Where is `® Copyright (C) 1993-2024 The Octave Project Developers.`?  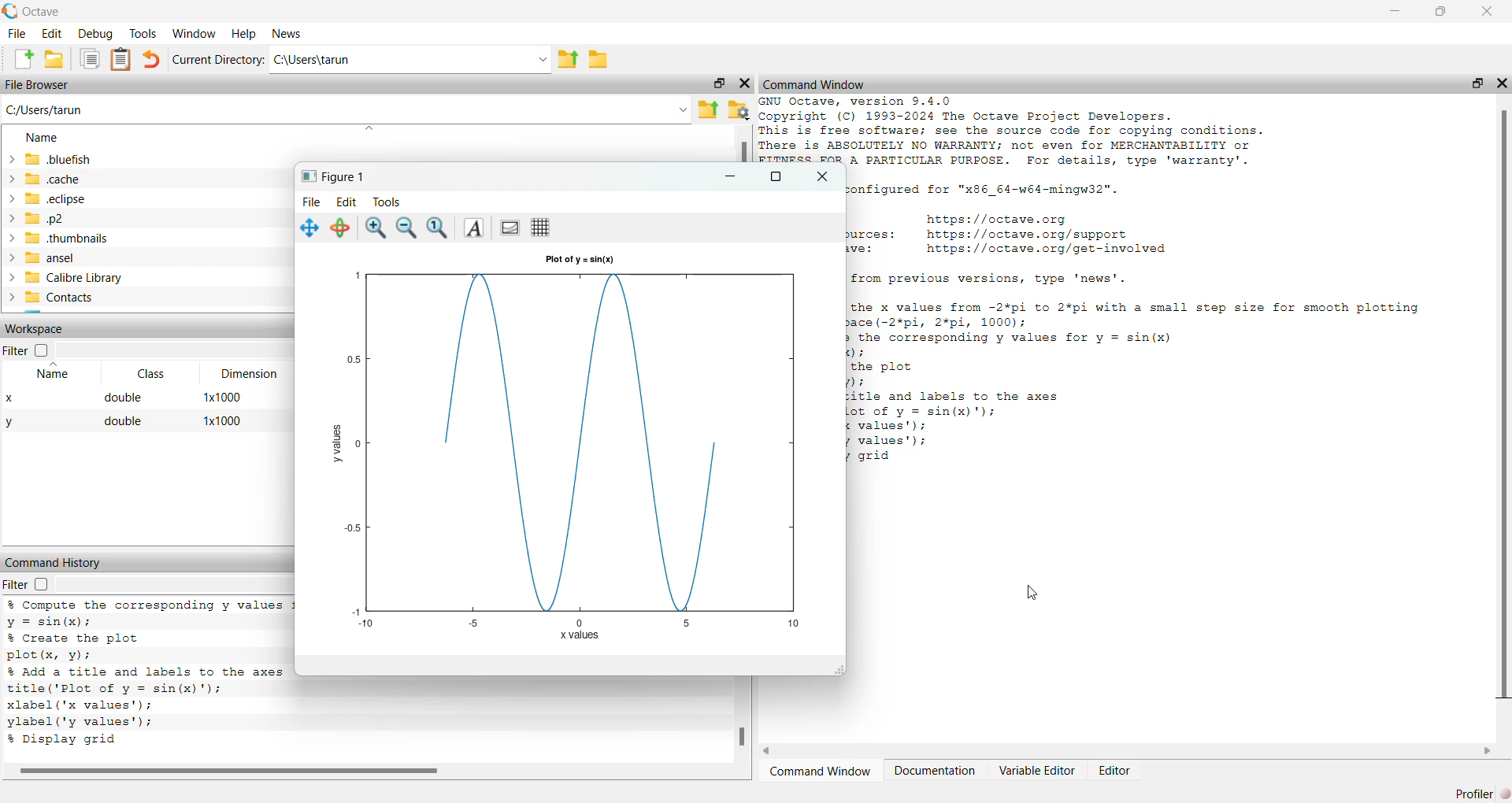
® Copyright (C) 1993-2024 The Octave Project Developers. is located at coordinates (973, 116).